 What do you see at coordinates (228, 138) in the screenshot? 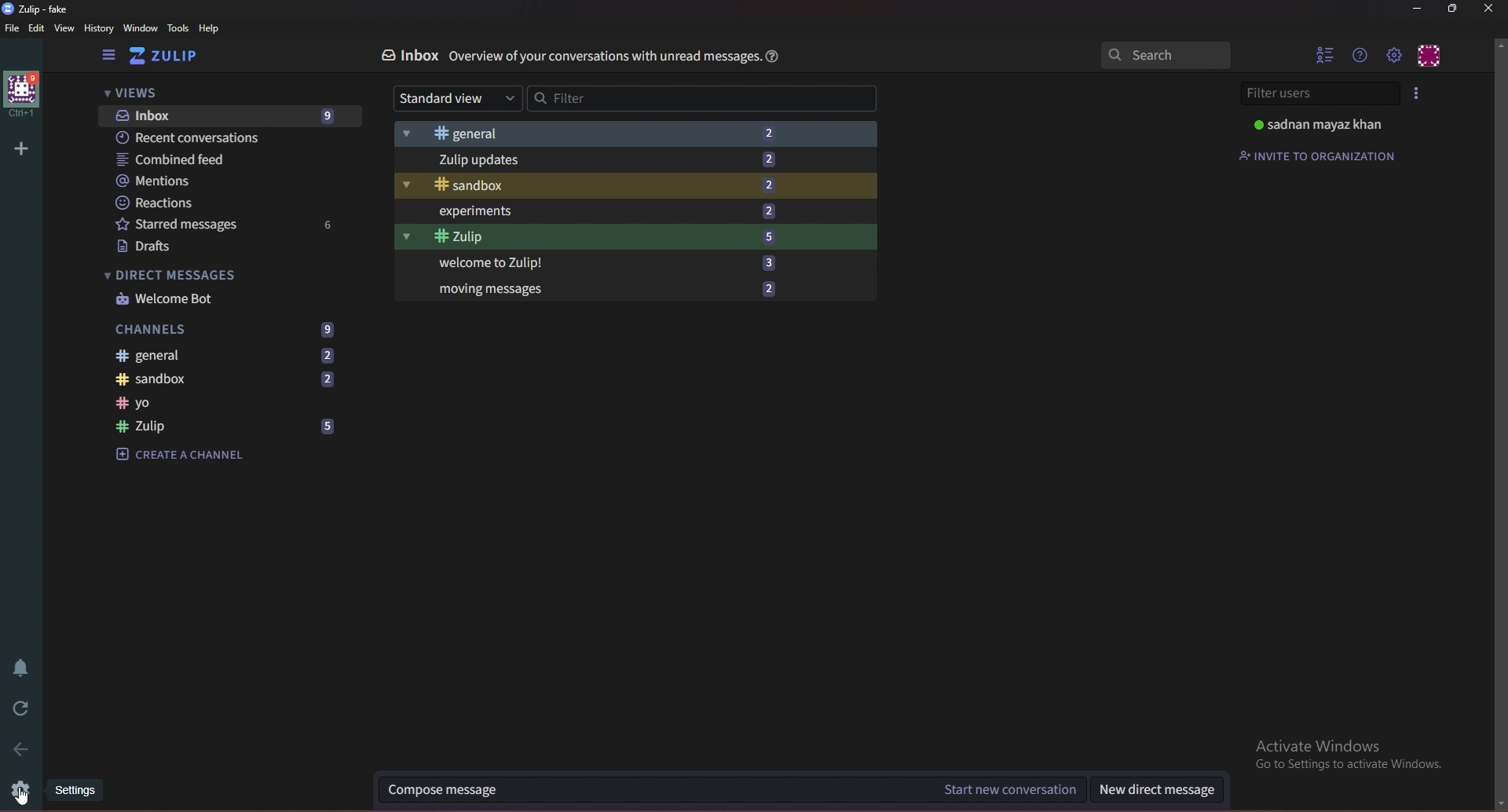
I see `Recent conversations` at bounding box center [228, 138].